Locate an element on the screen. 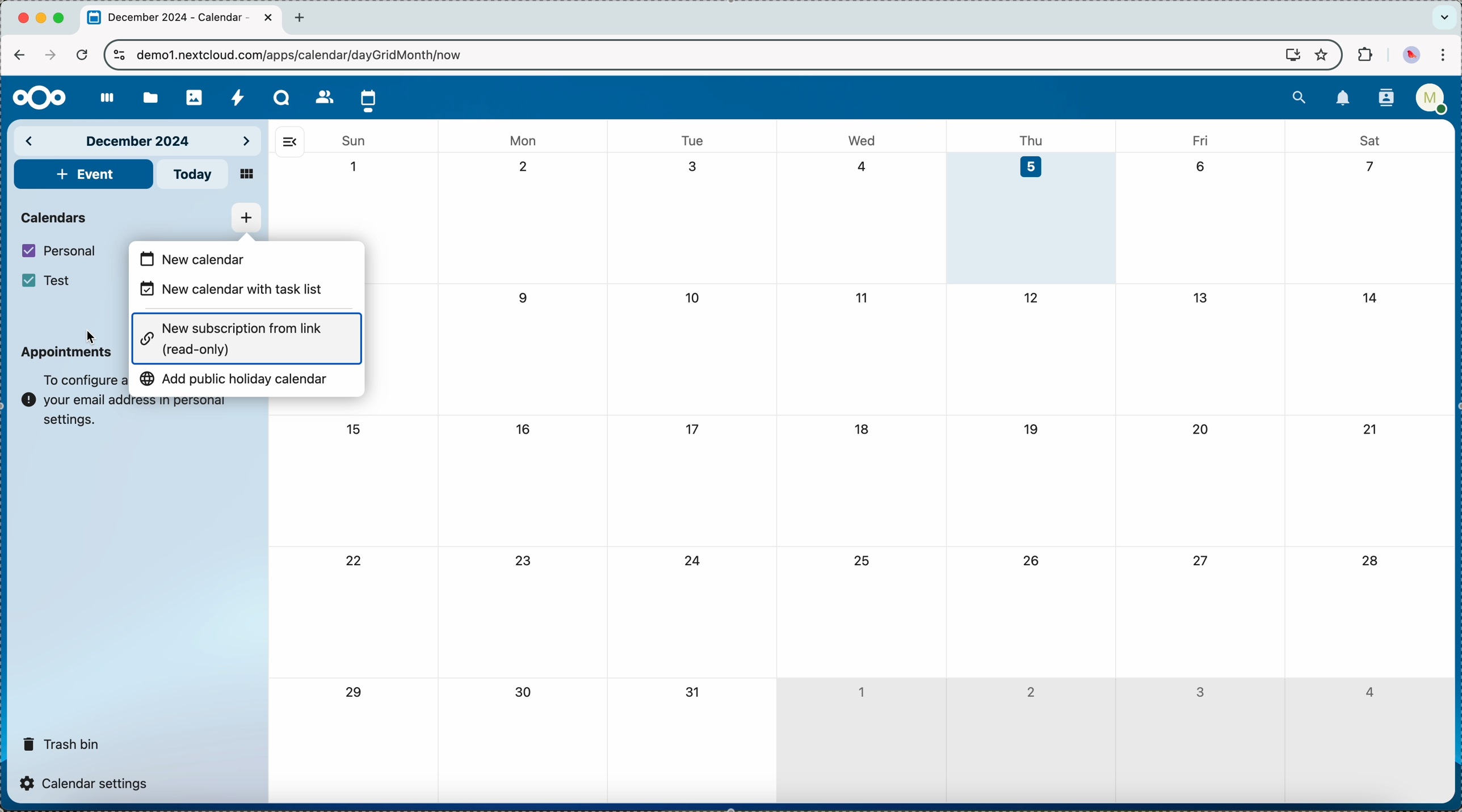 This screenshot has height=812, width=1462. 16 is located at coordinates (523, 428).